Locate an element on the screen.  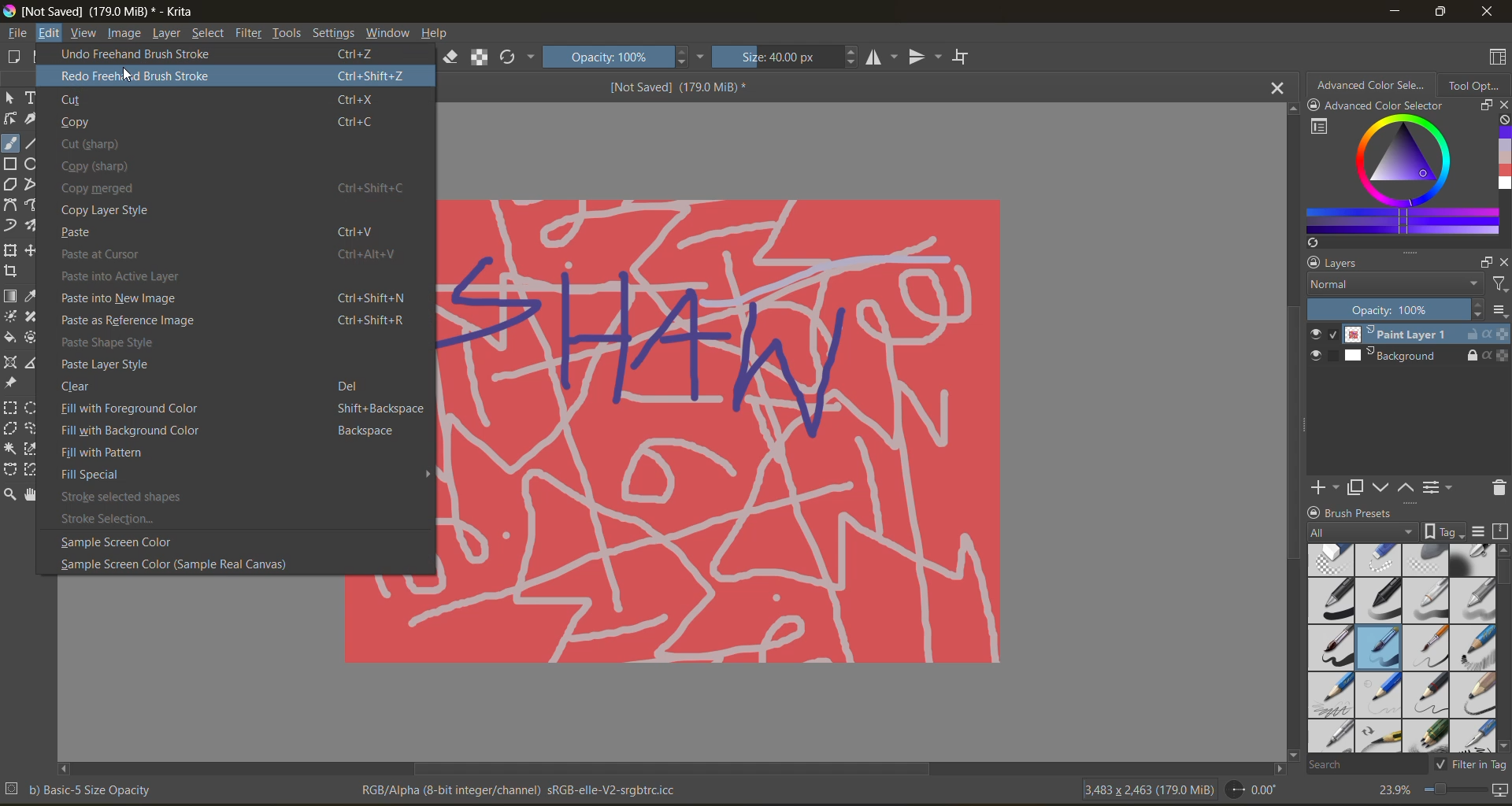
tag is located at coordinates (1363, 533).